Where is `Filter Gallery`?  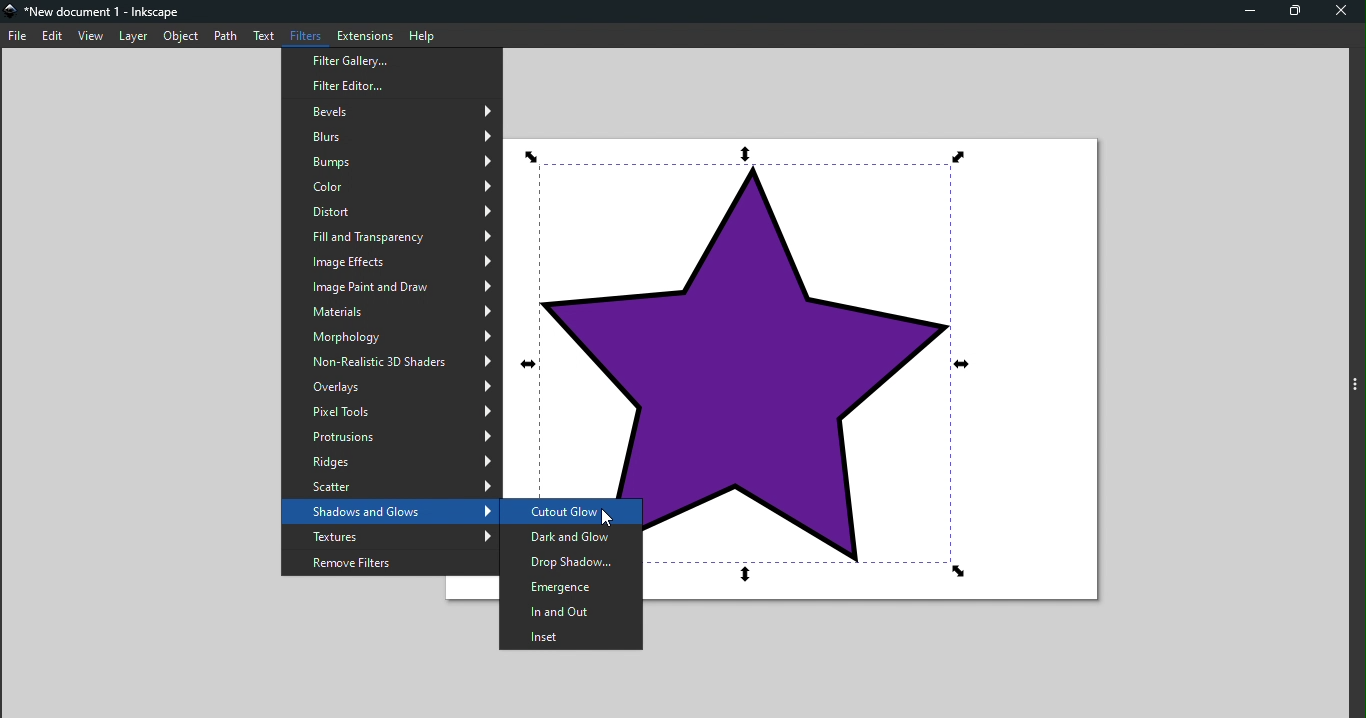
Filter Gallery is located at coordinates (391, 60).